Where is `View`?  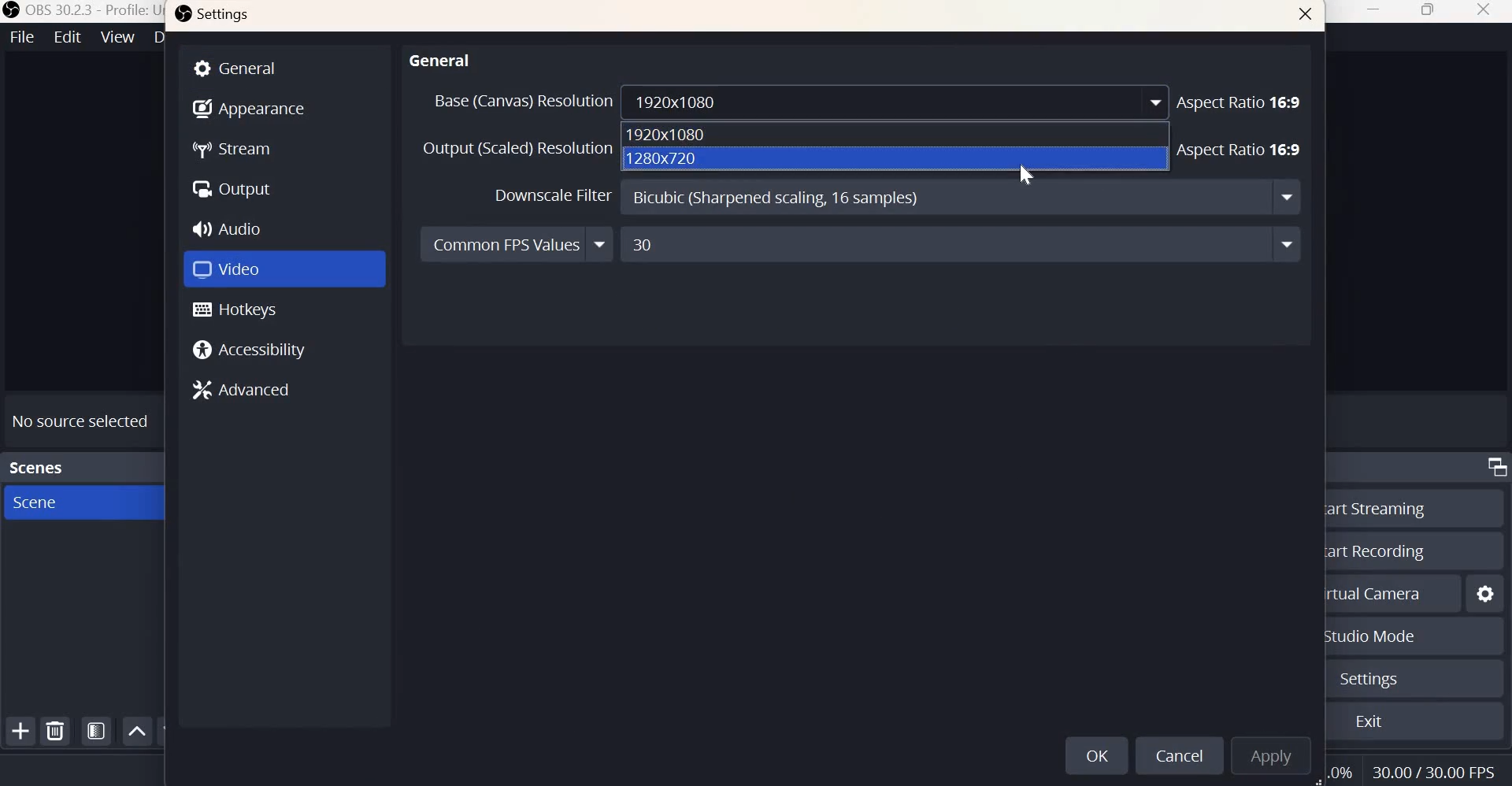
View is located at coordinates (118, 38).